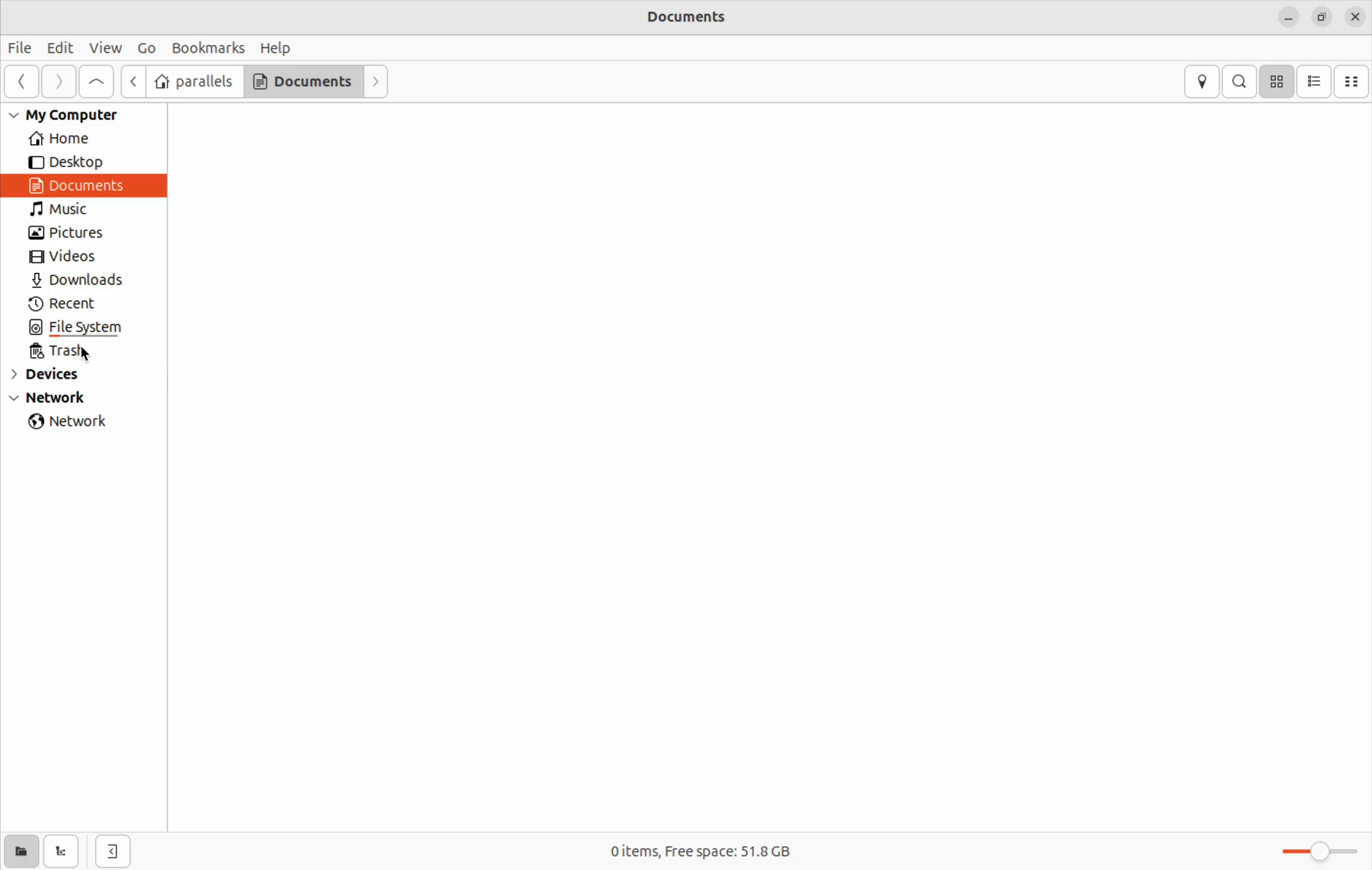 The image size is (1372, 870). Describe the element at coordinates (96, 81) in the screenshot. I see `Go to first page` at that location.